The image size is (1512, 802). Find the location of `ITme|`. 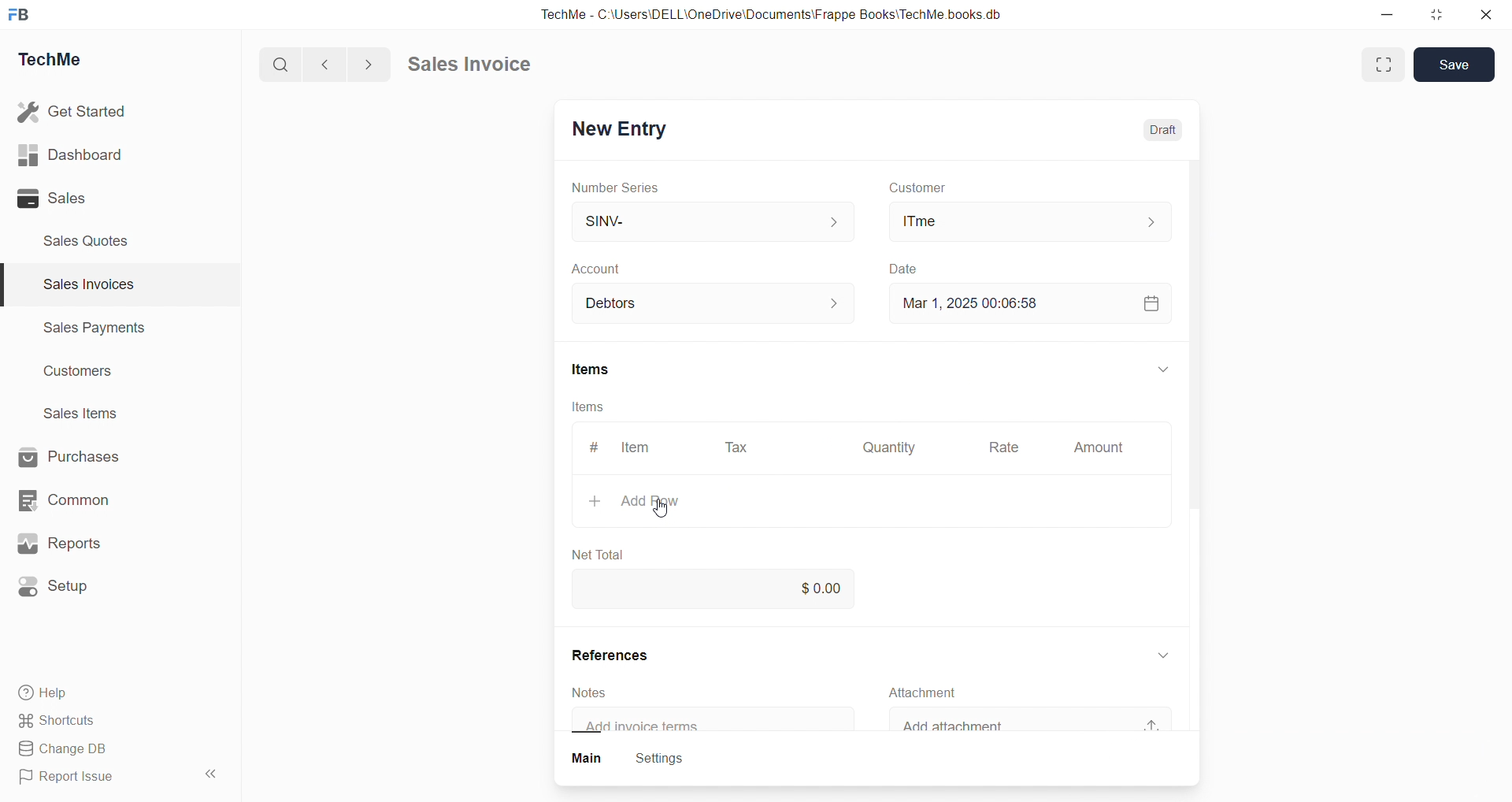

ITme| is located at coordinates (1028, 221).